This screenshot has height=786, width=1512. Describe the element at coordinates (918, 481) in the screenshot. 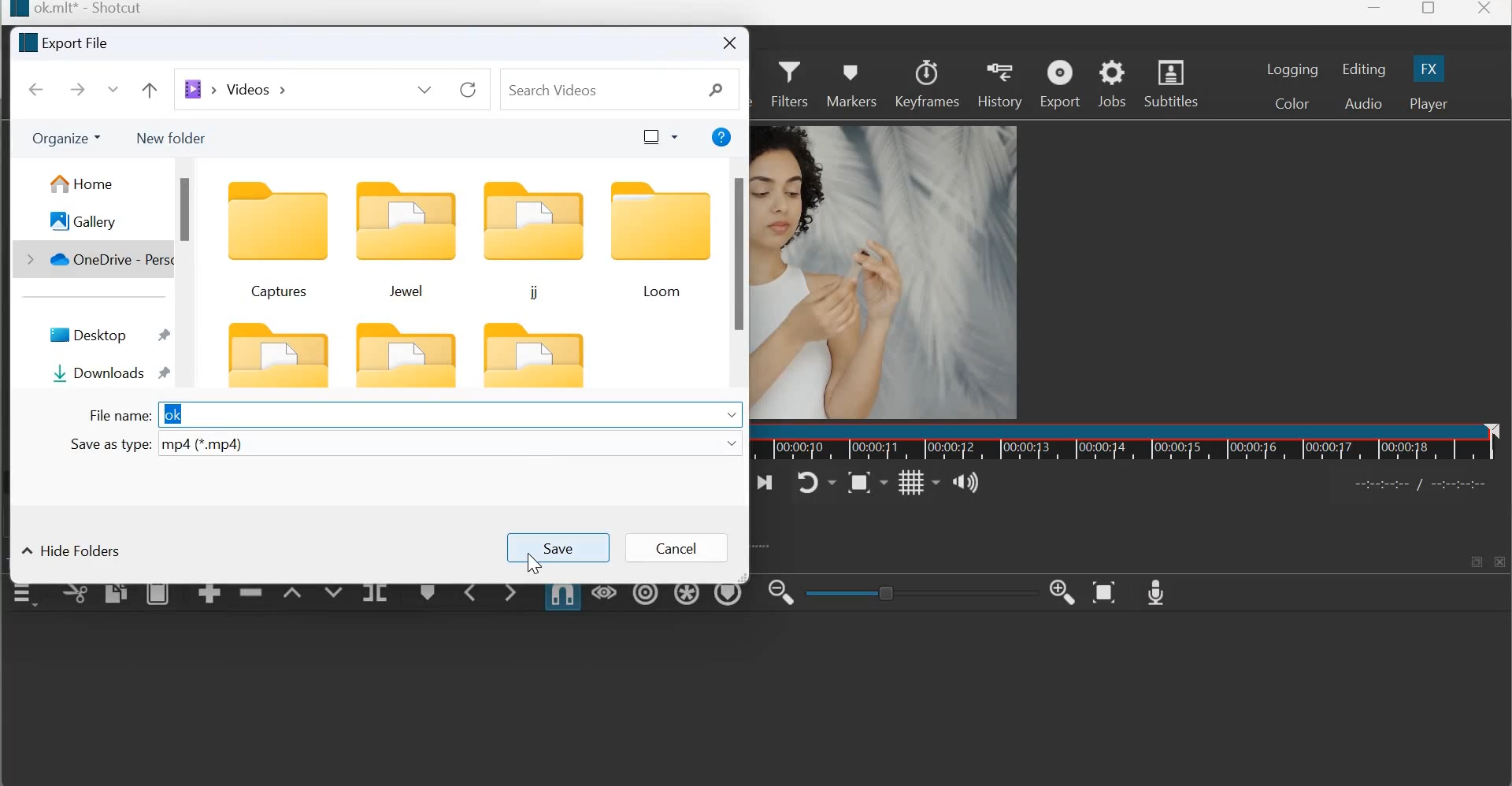

I see `Toggle grid display on the player` at that location.